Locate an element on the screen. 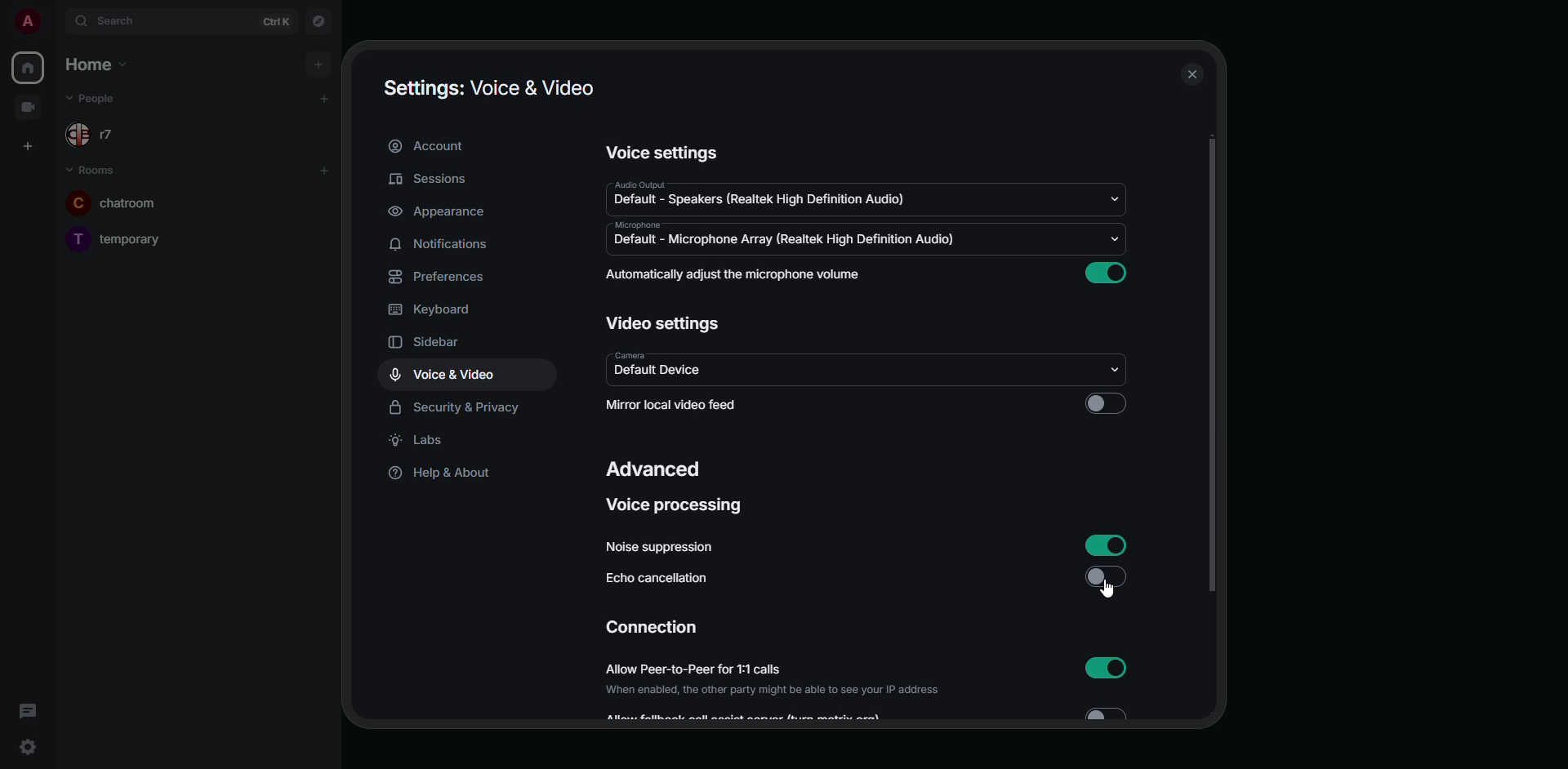 This screenshot has height=769, width=1568. audio output is located at coordinates (637, 184).